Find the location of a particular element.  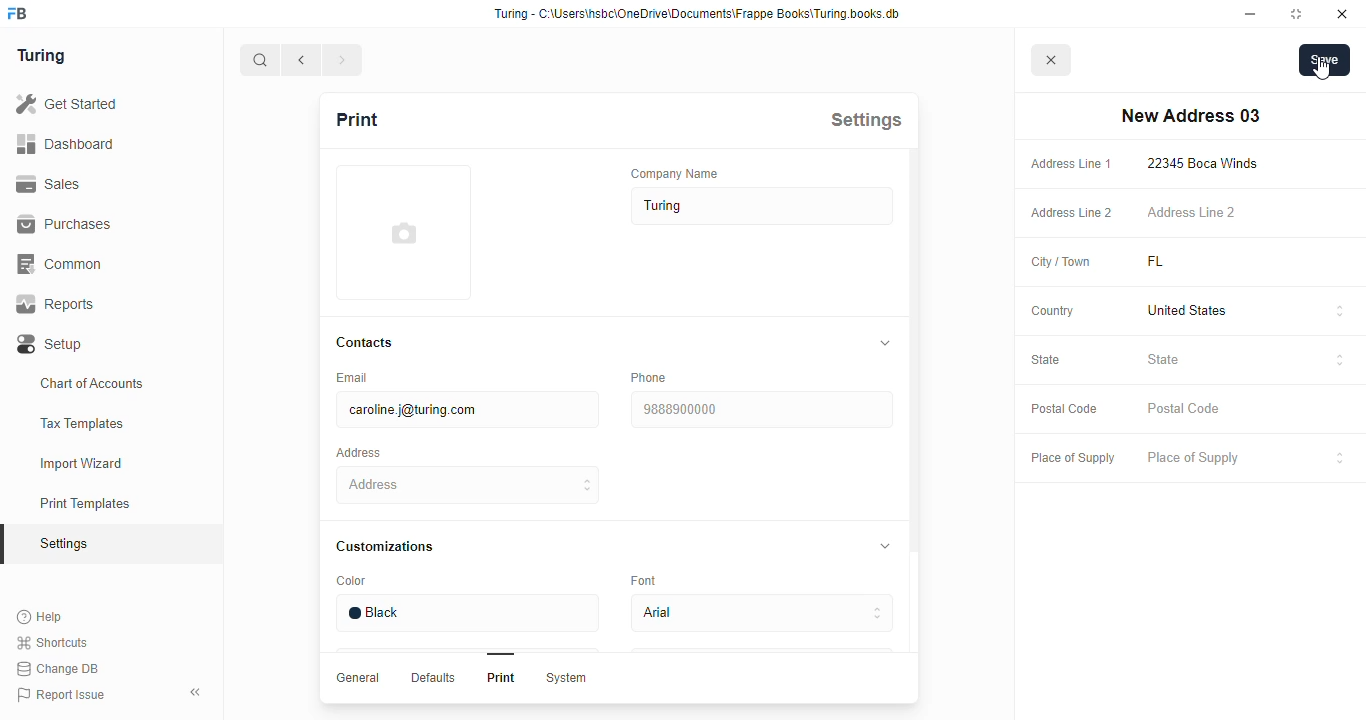

cancel is located at coordinates (1052, 61).